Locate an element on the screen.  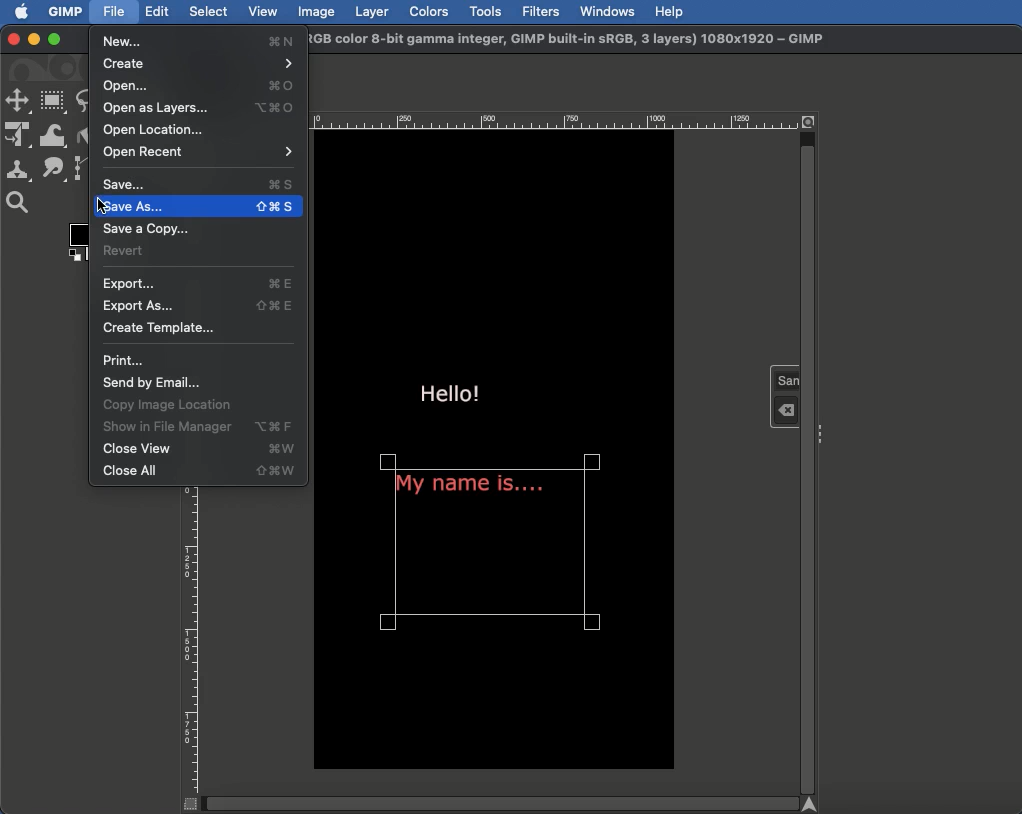
Select is located at coordinates (208, 12).